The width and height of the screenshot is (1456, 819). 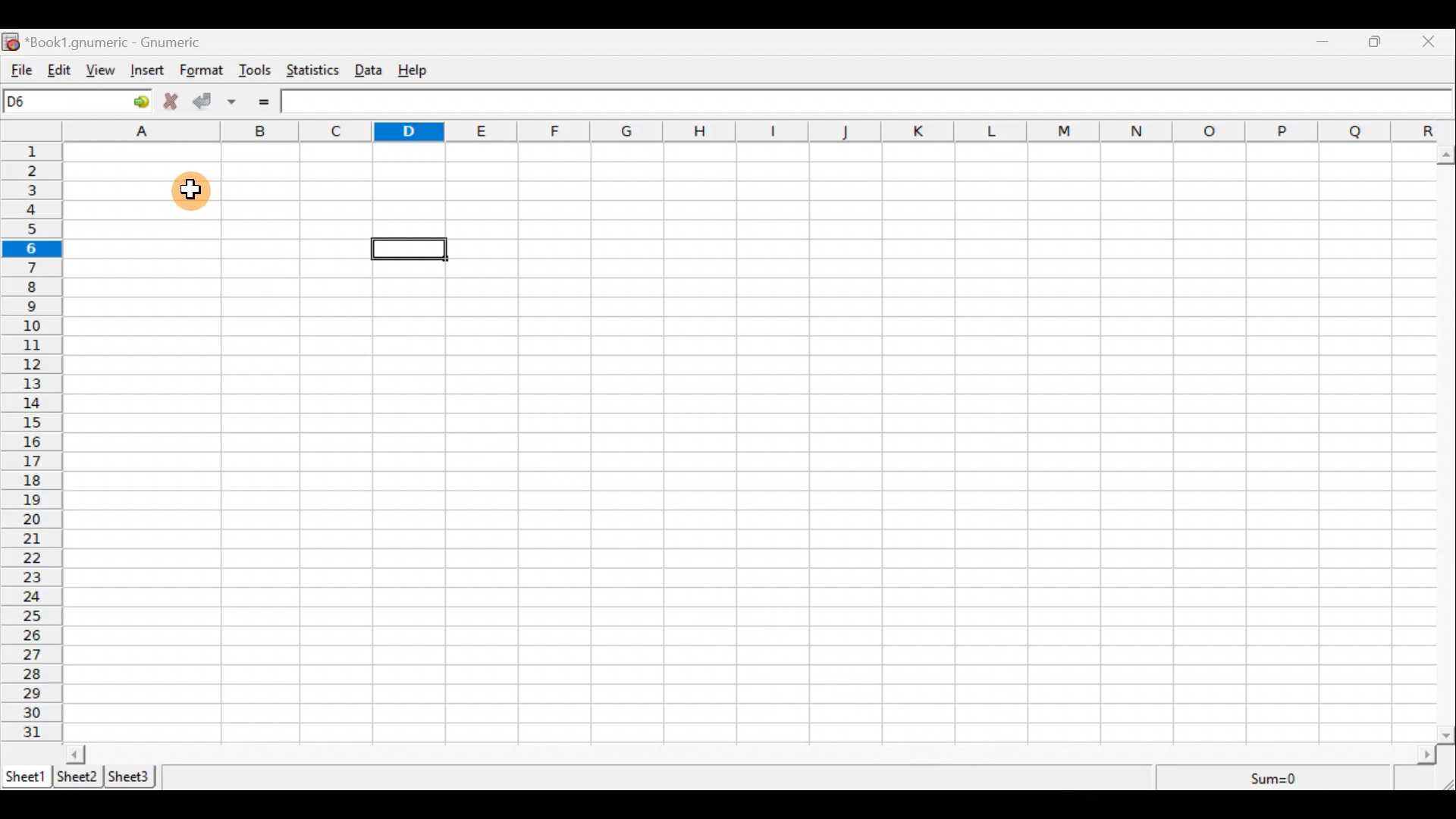 I want to click on scroll left, so click(x=75, y=754).